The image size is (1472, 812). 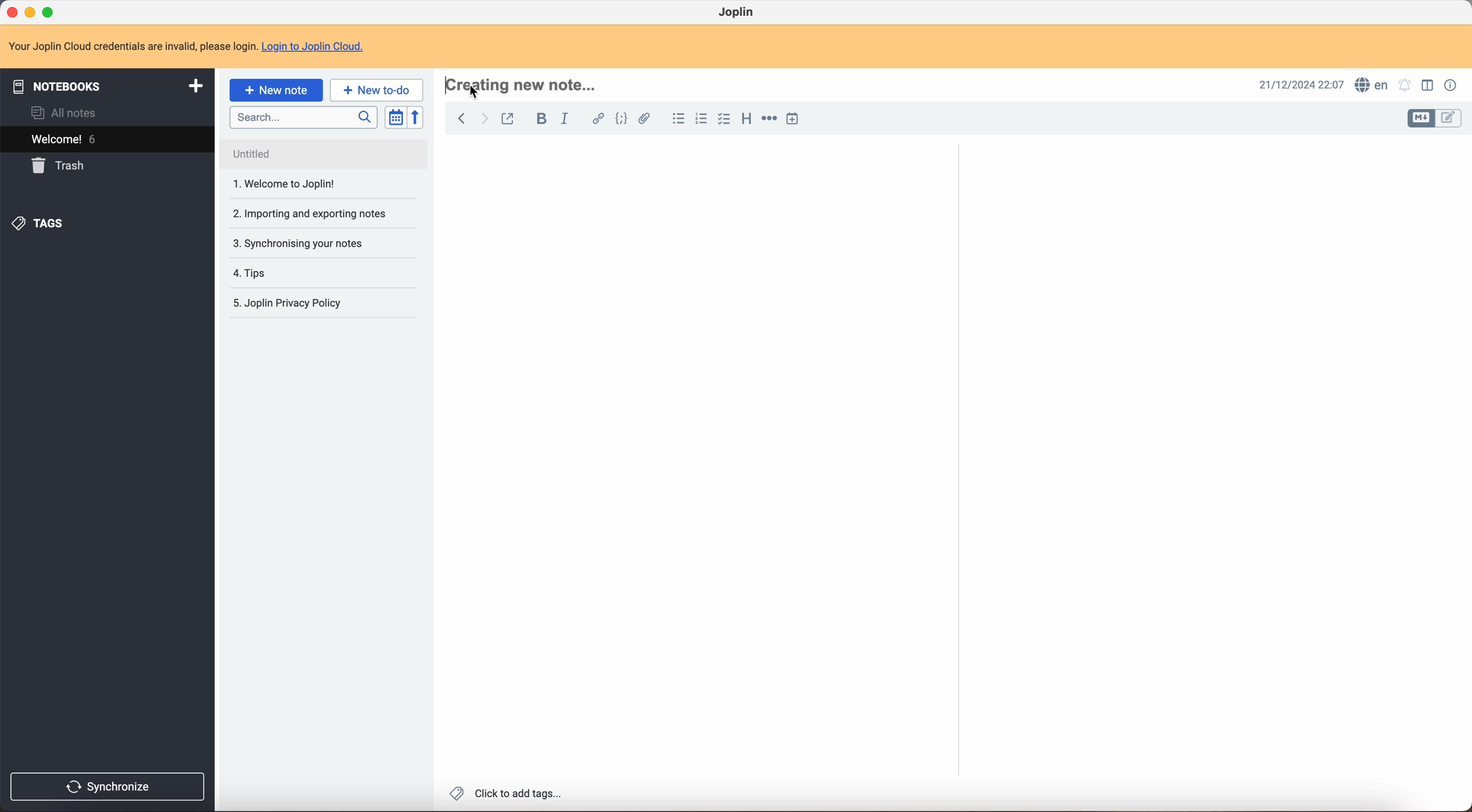 I want to click on maximize program, so click(x=50, y=11).